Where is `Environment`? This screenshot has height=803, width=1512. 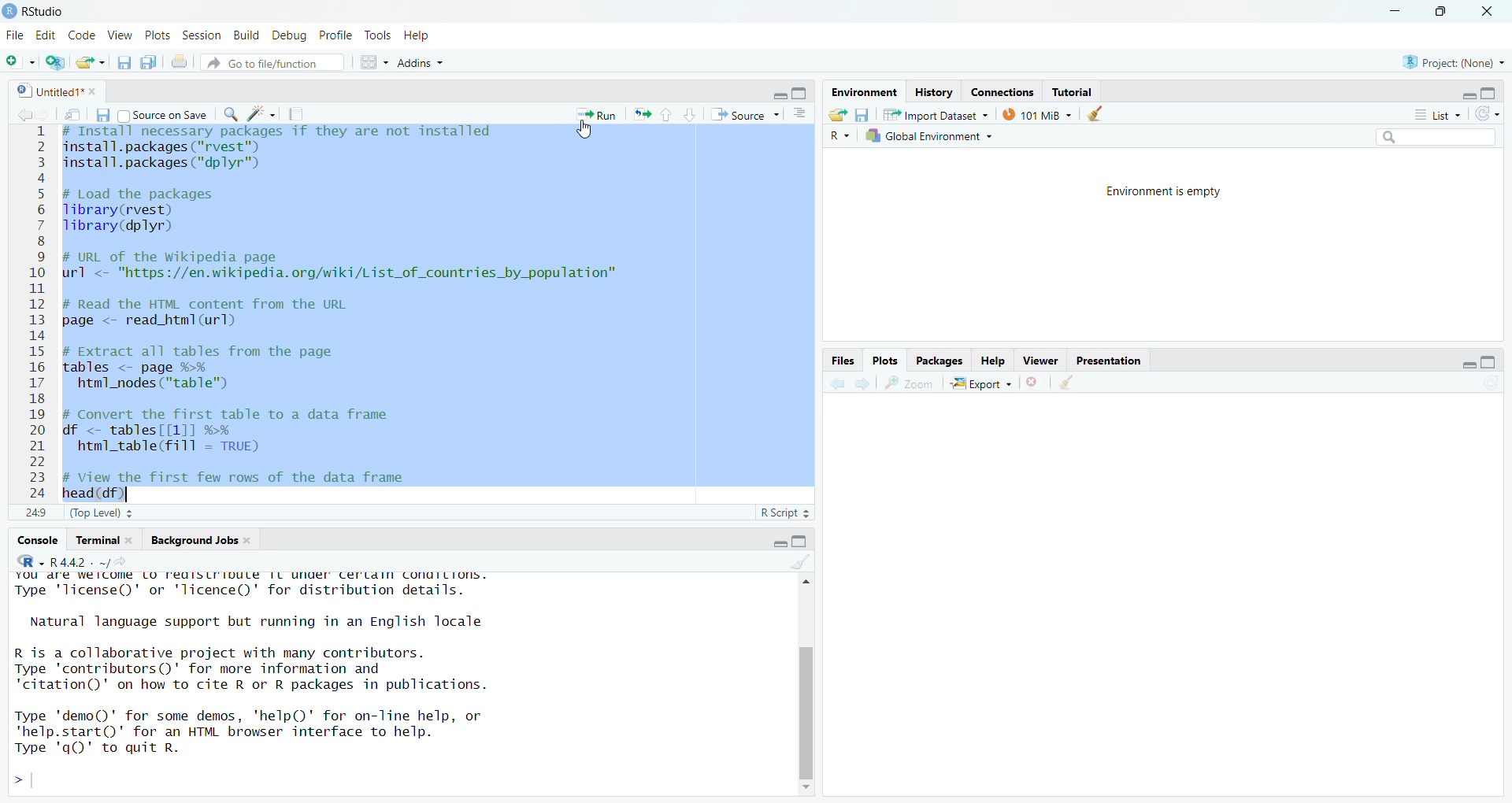 Environment is located at coordinates (863, 92).